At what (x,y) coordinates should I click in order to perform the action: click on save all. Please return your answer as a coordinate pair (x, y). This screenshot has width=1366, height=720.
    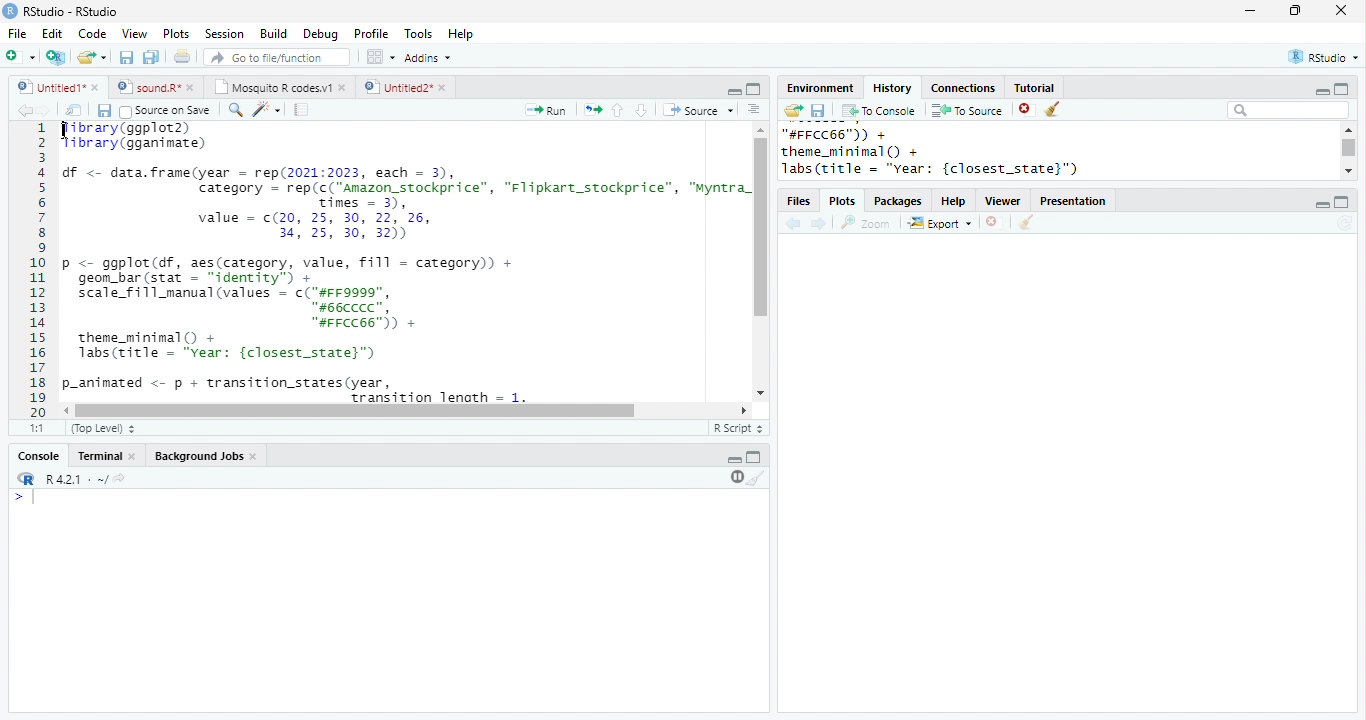
    Looking at the image, I should click on (151, 58).